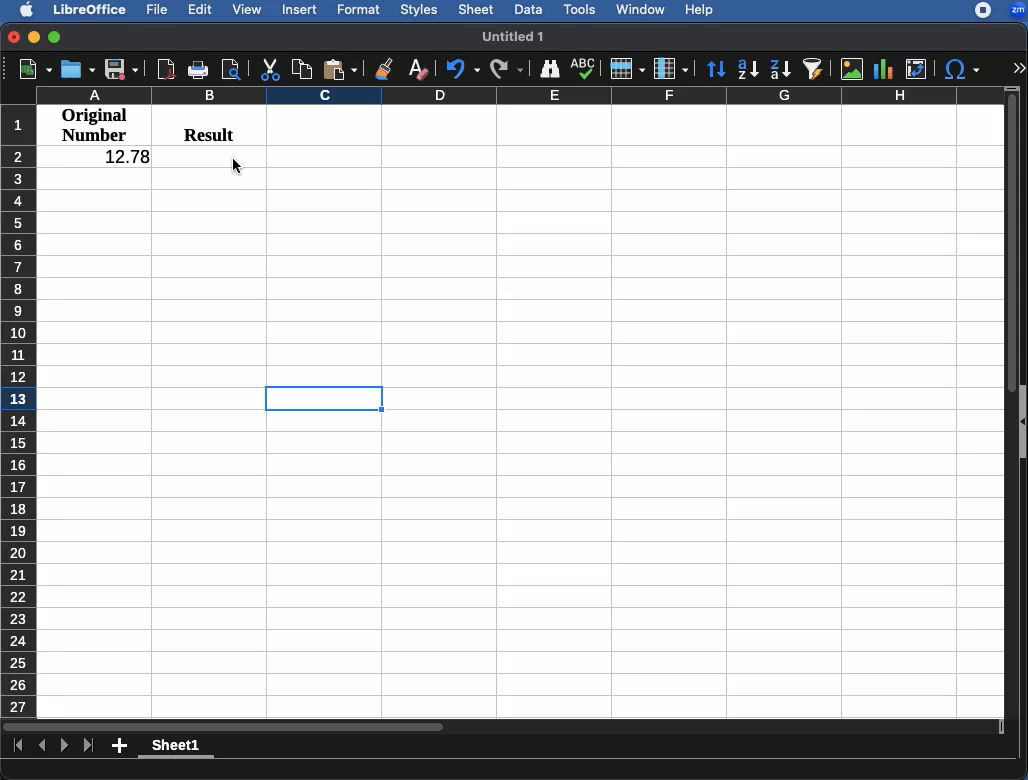  Describe the element at coordinates (35, 39) in the screenshot. I see `Minimize` at that location.